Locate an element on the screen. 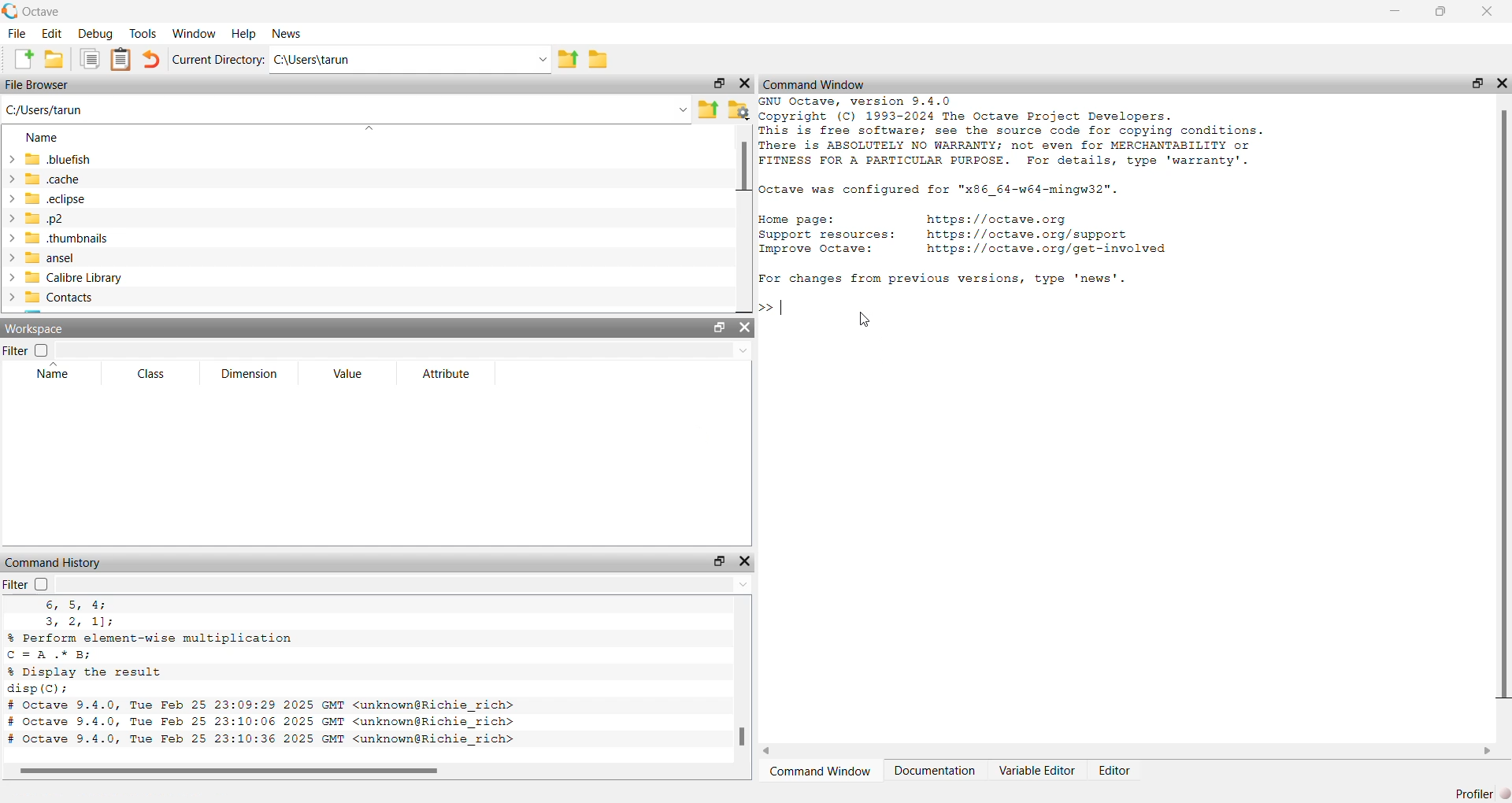 The image size is (1512, 803). File is located at coordinates (17, 34).